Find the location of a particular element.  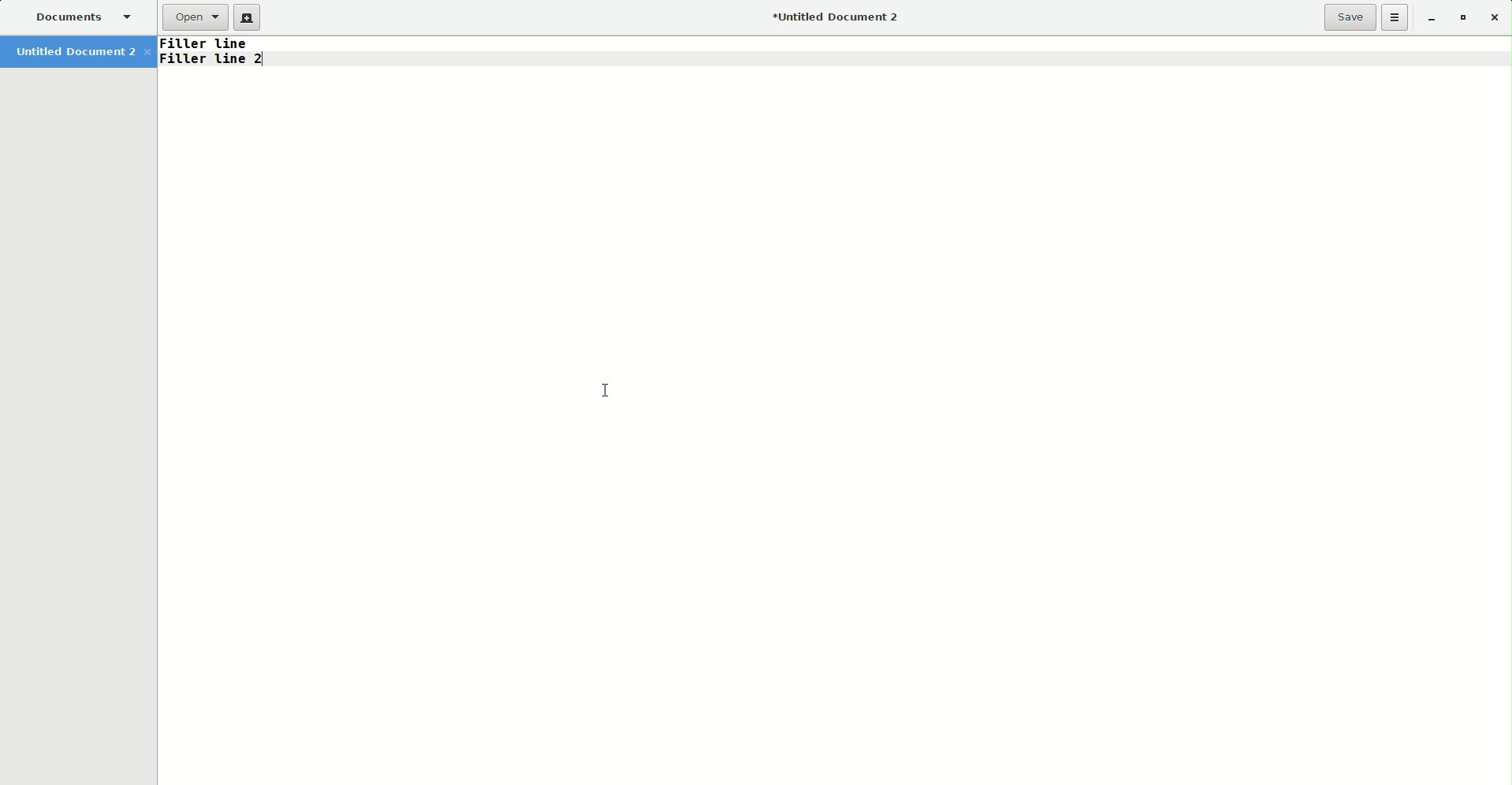

Text is located at coordinates (221, 59).